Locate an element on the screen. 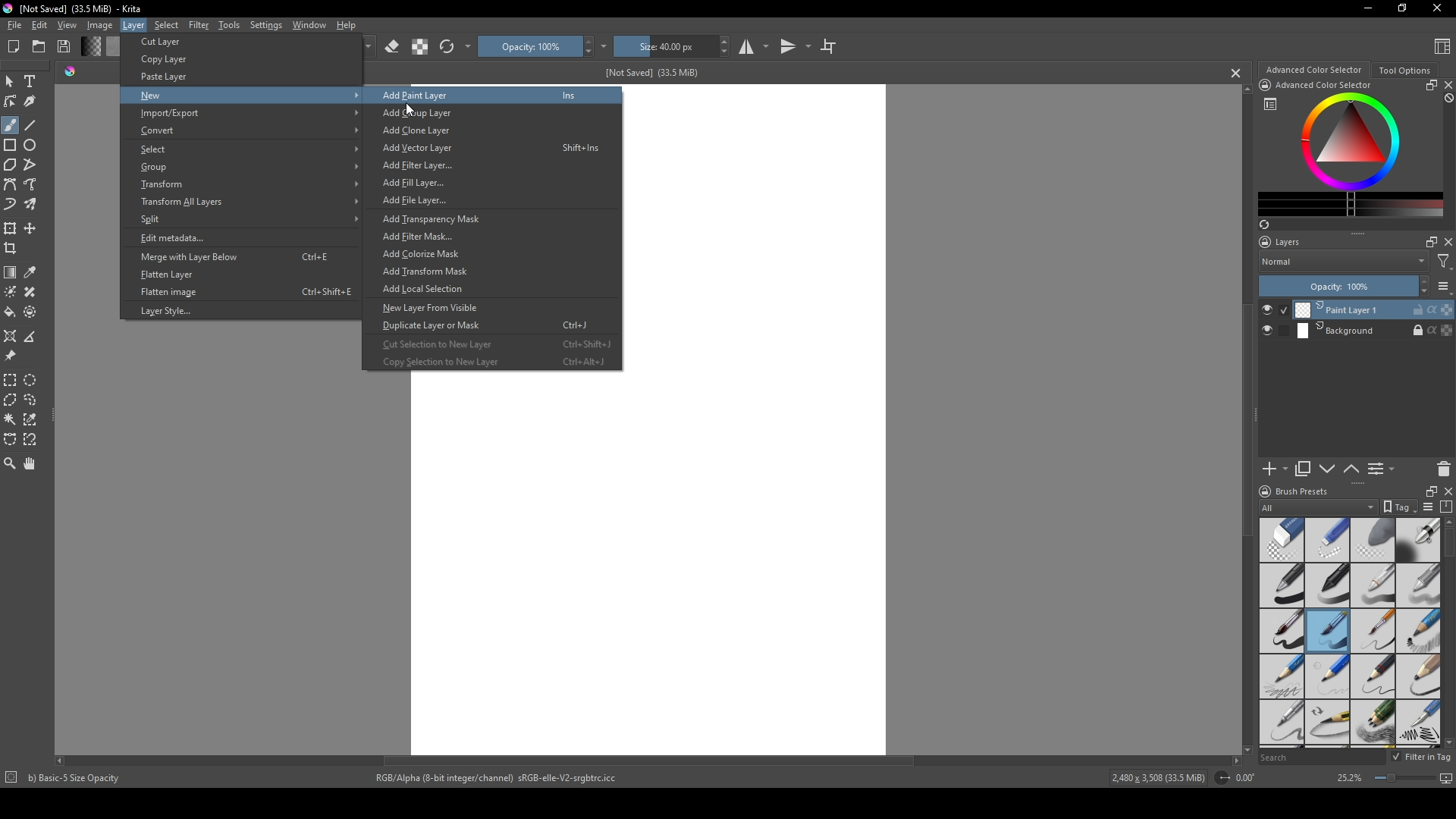  medium brush is located at coordinates (1327, 631).